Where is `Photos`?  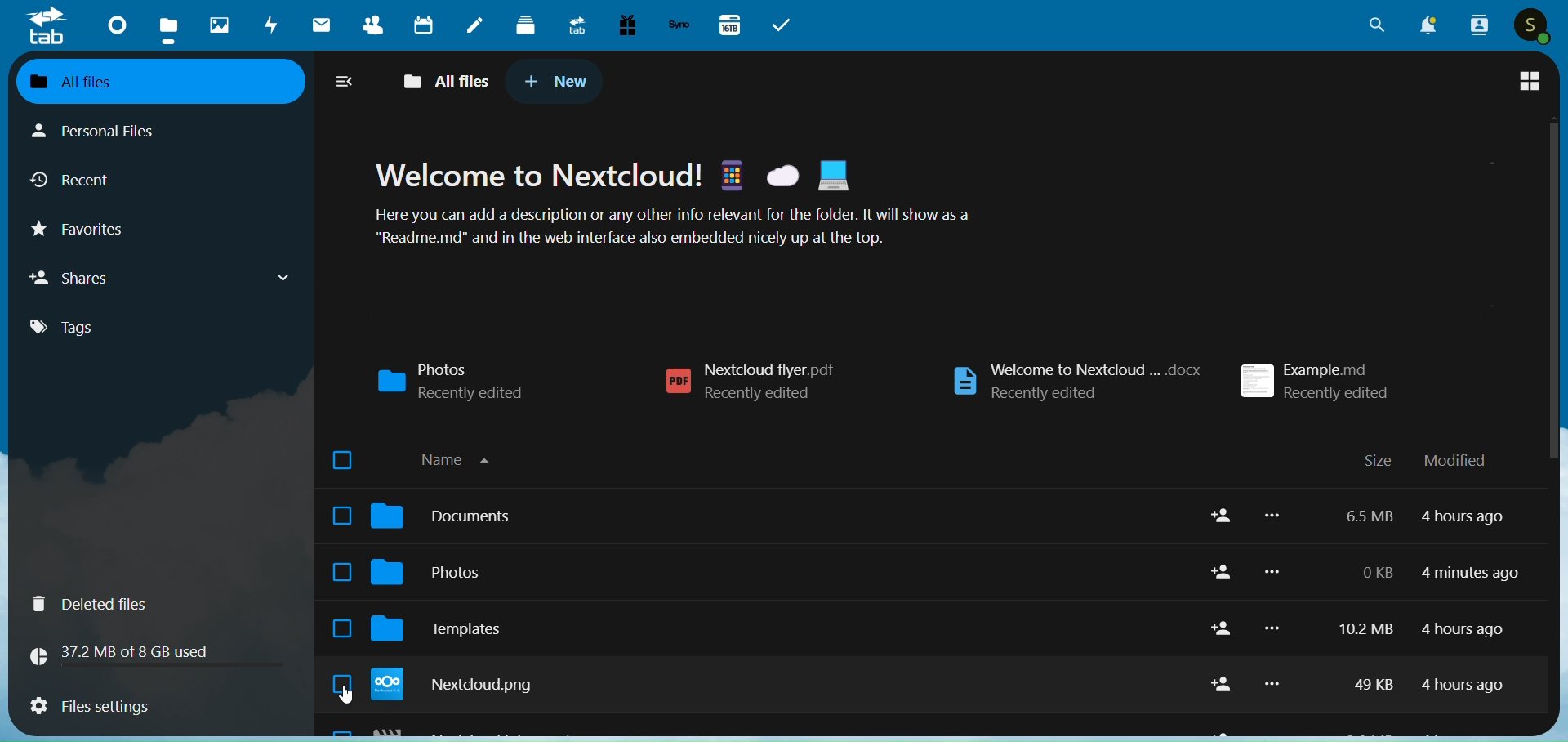
Photos is located at coordinates (779, 571).